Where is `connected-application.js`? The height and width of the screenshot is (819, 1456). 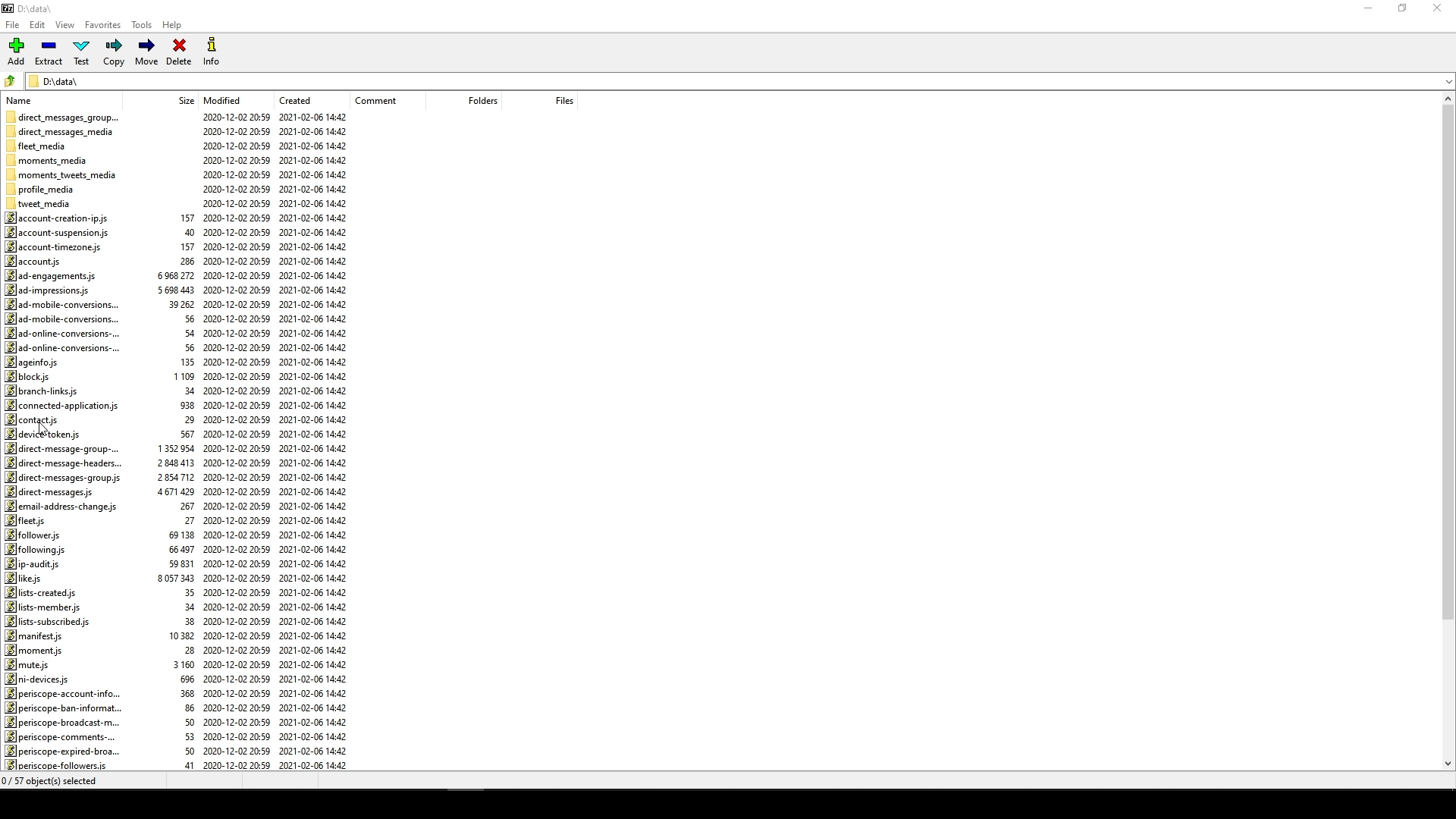
connected-application.js is located at coordinates (61, 406).